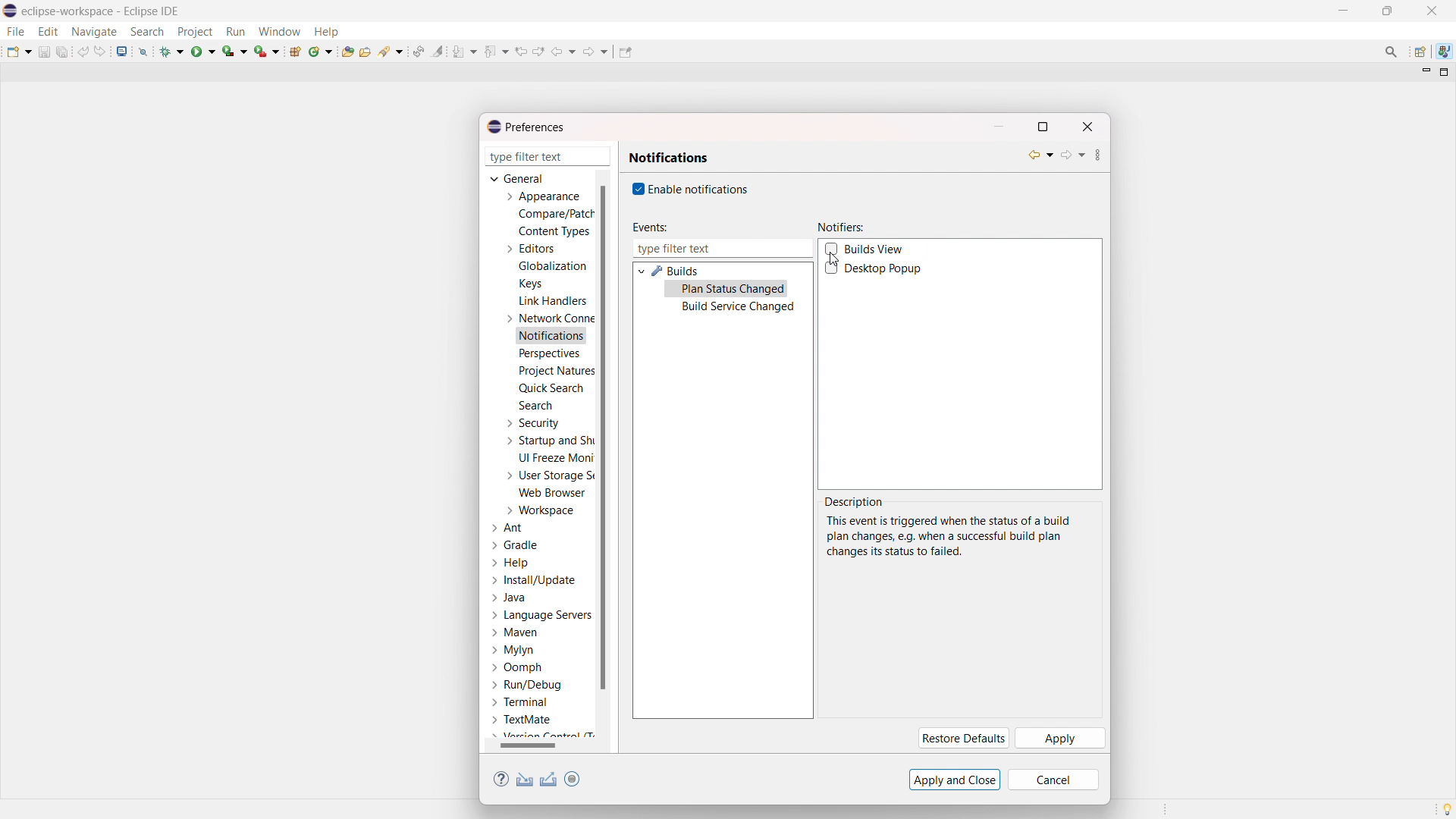 The width and height of the screenshot is (1456, 819). Describe the element at coordinates (833, 259) in the screenshot. I see `cursor` at that location.